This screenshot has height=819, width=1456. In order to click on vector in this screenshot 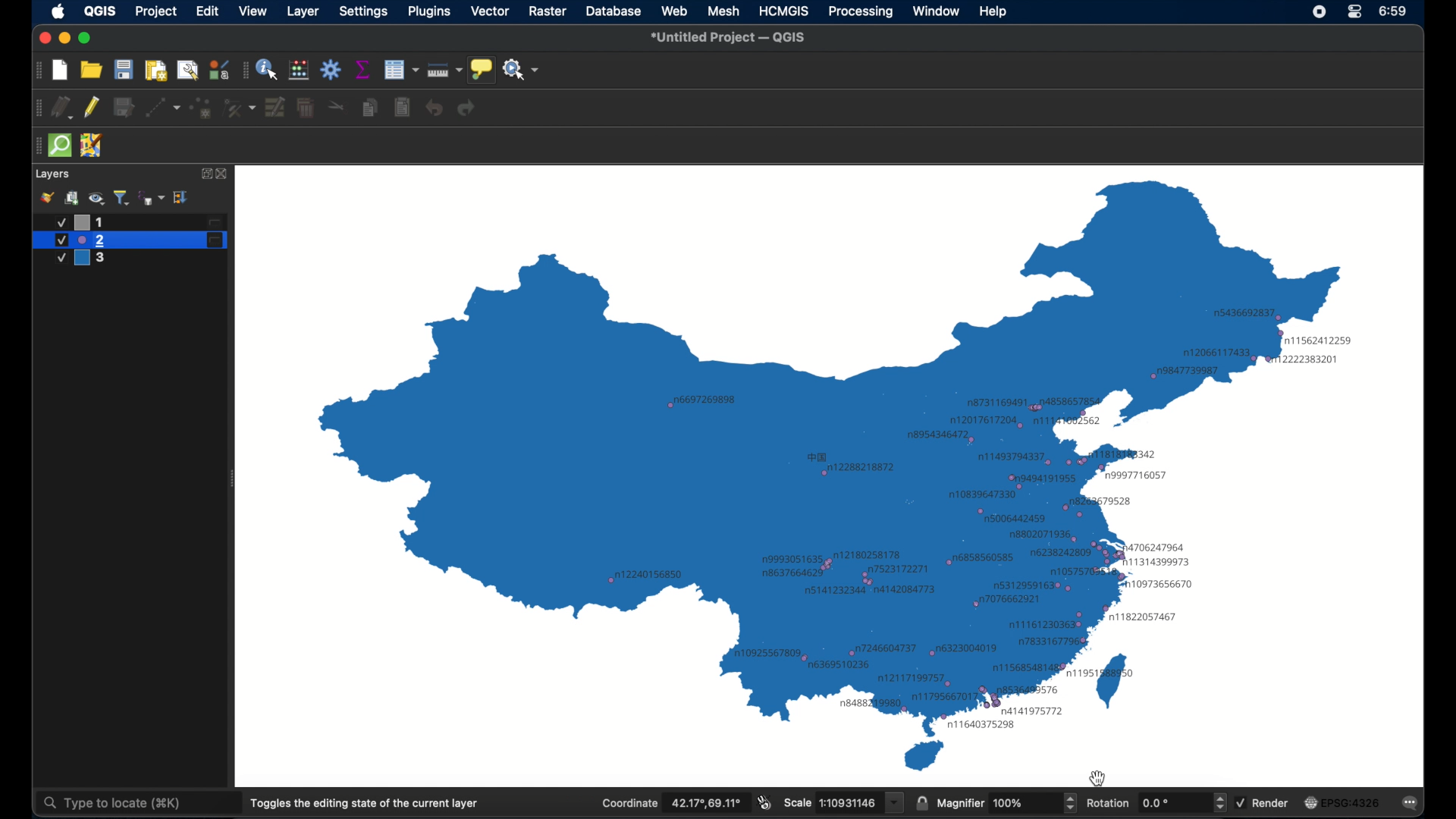, I will do `click(489, 11)`.